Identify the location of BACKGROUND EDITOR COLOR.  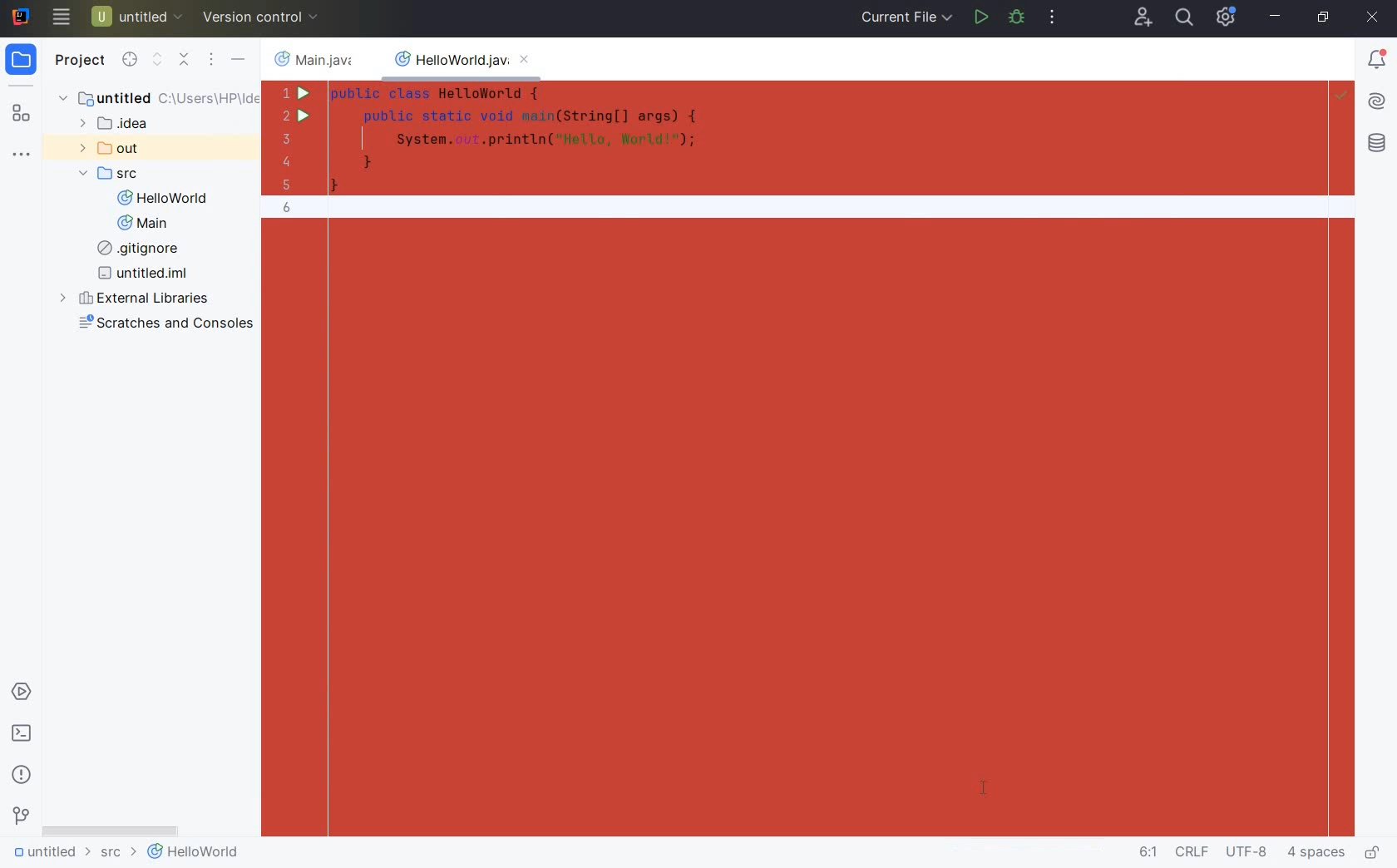
(792, 459).